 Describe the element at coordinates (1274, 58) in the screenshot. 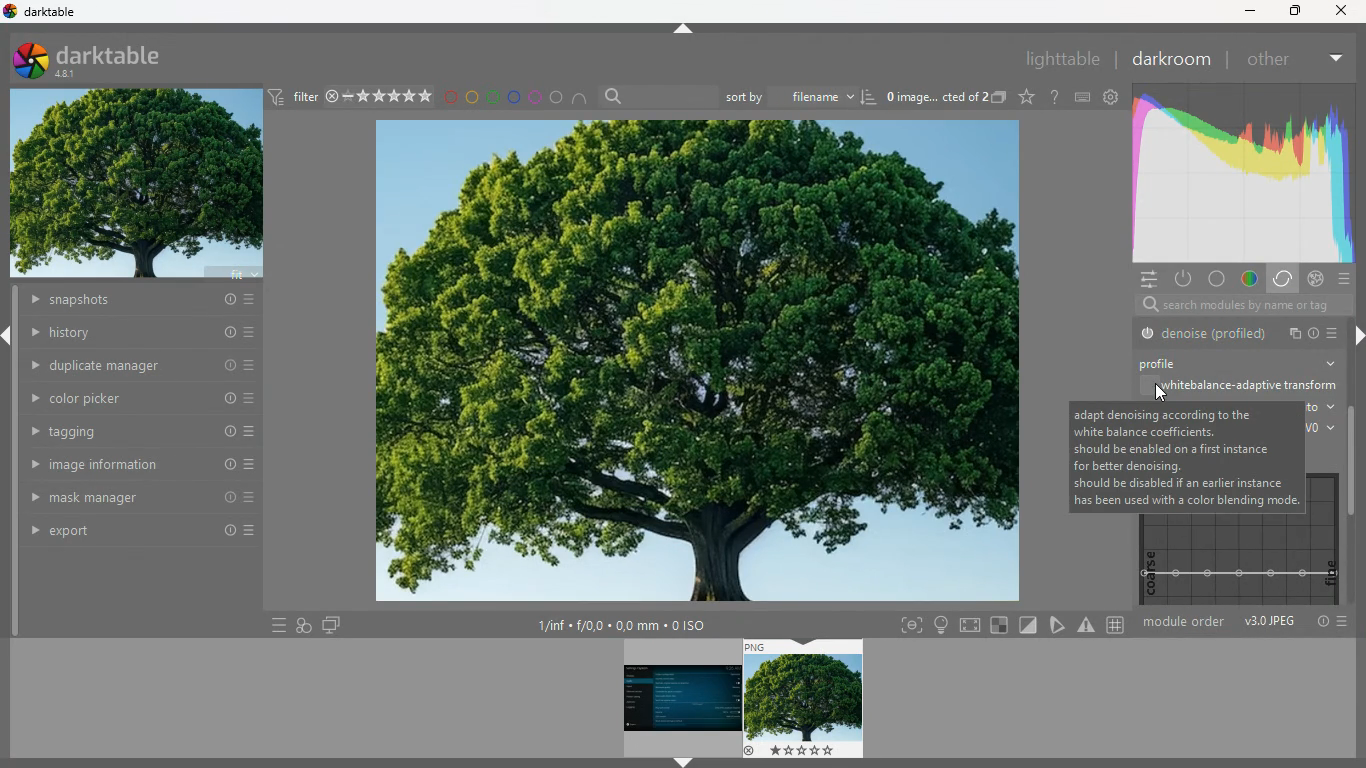

I see `other` at that location.